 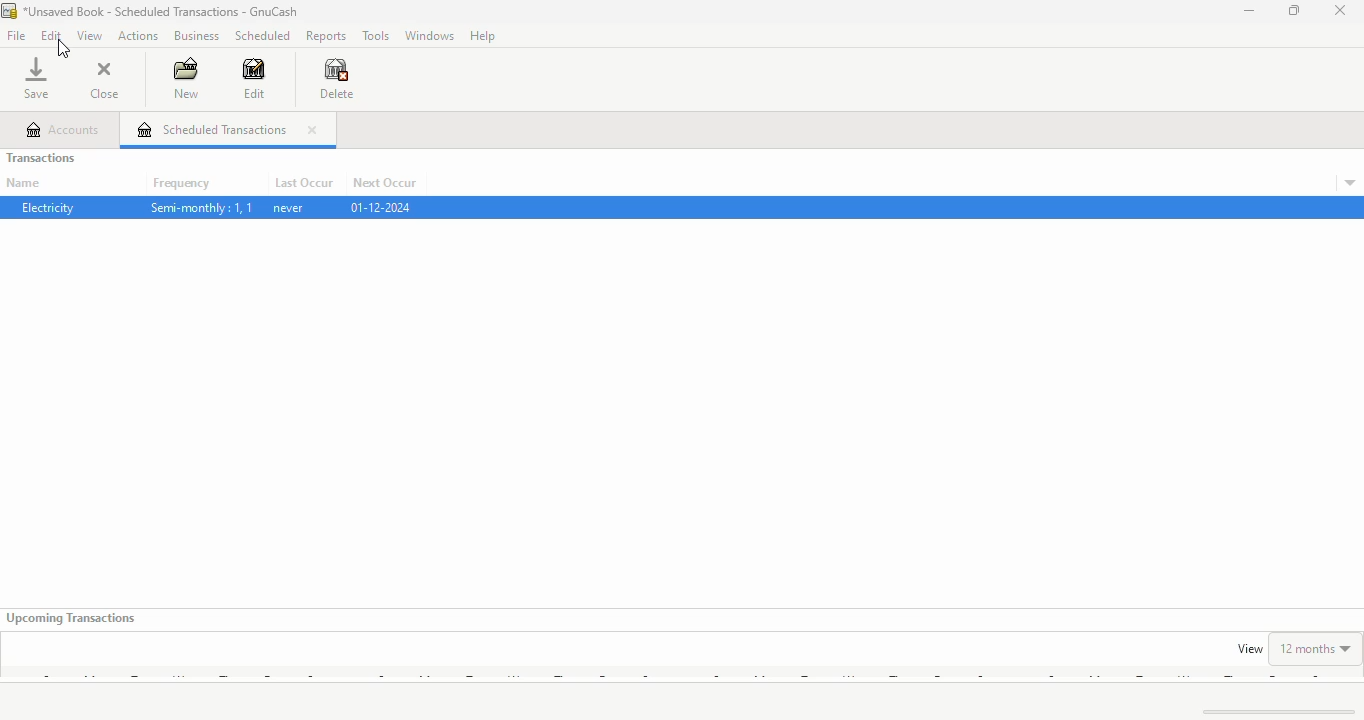 I want to click on accounts, so click(x=64, y=130).